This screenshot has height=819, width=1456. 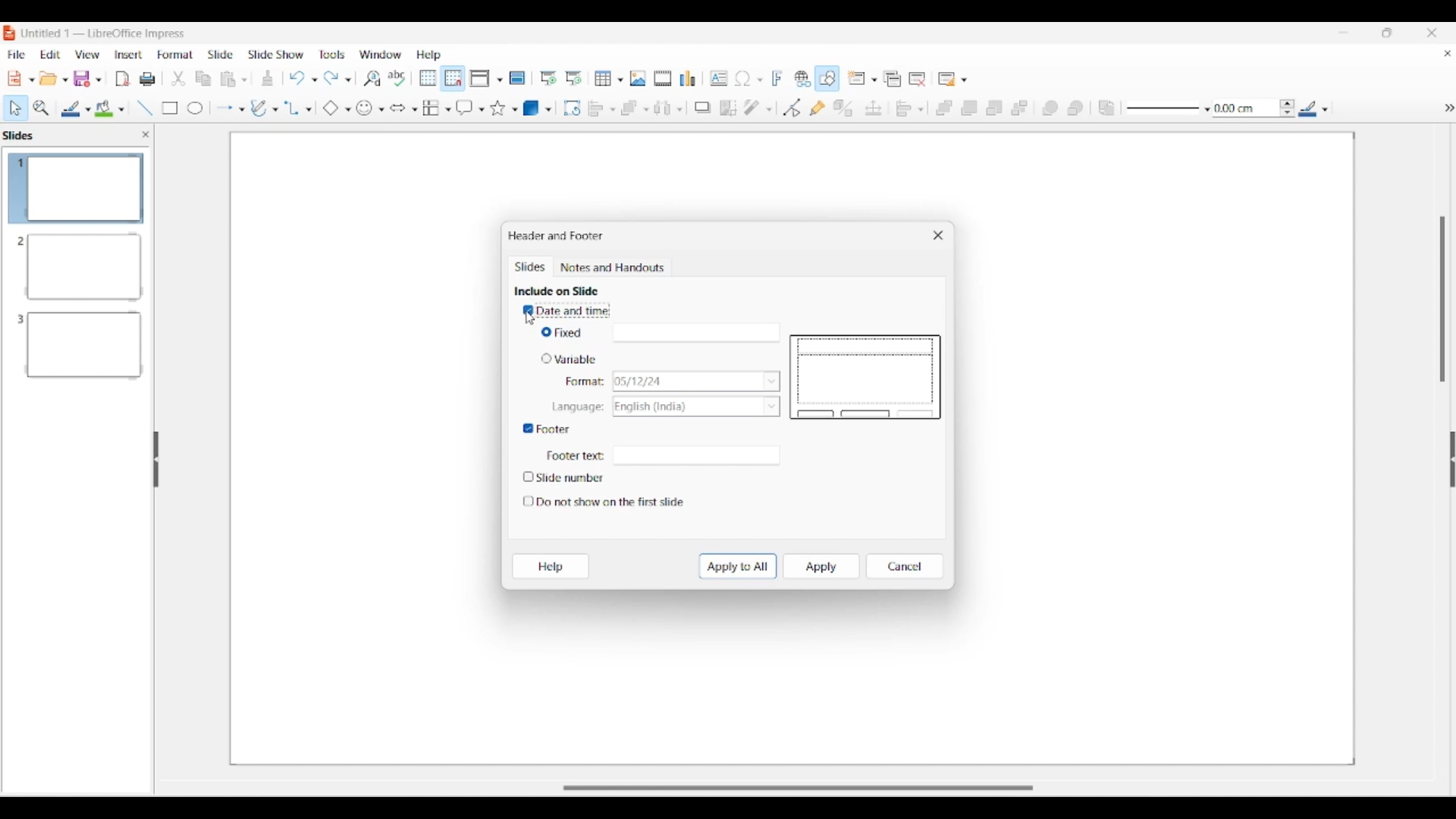 I want to click on Start from first slide, so click(x=548, y=78).